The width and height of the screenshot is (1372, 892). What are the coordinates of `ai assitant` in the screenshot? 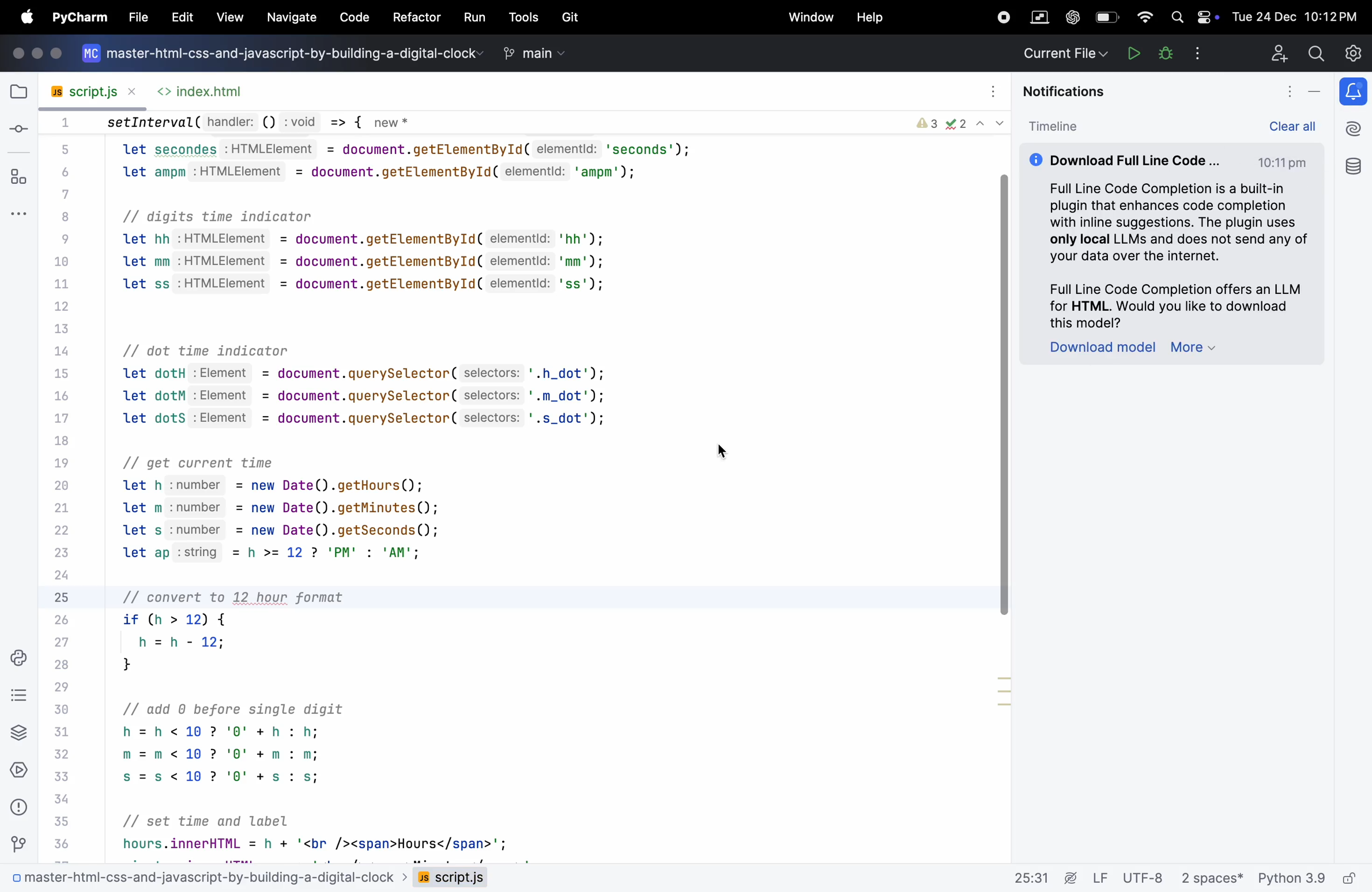 It's located at (1355, 128).